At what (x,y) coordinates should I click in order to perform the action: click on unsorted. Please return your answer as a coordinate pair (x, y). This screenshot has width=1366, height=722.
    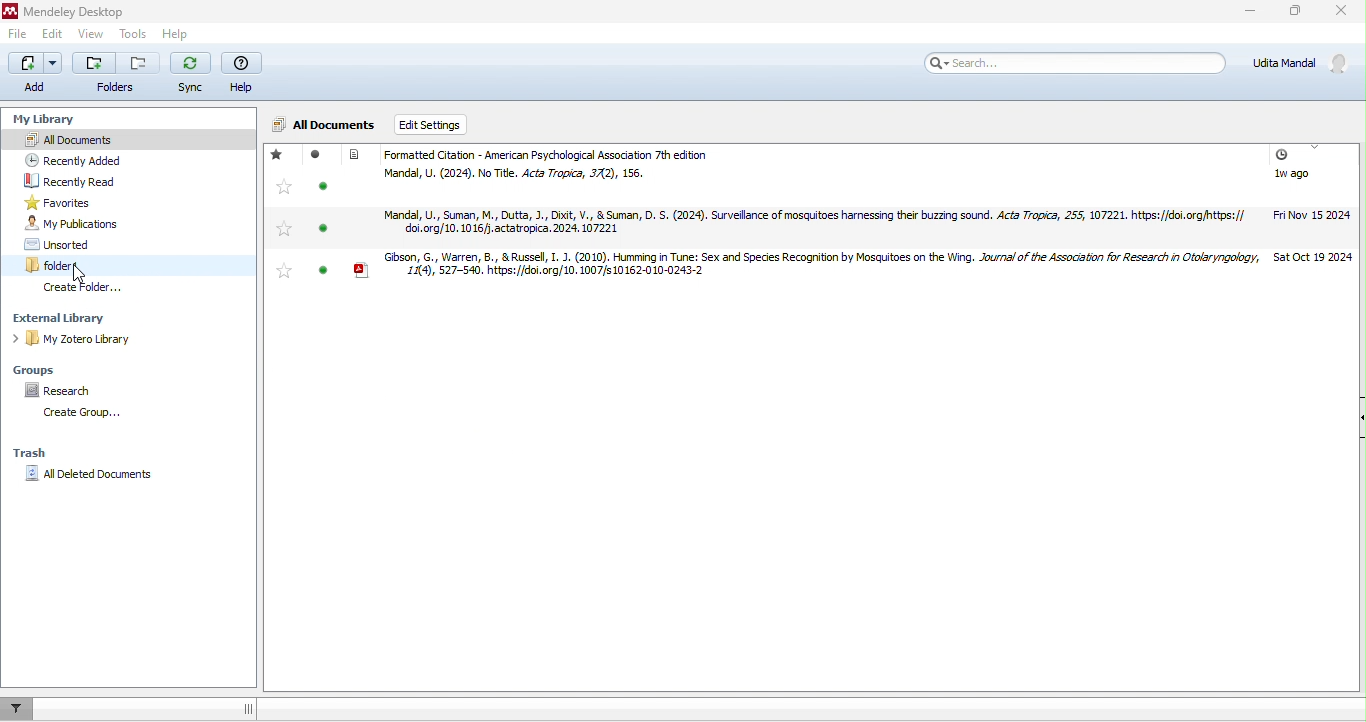
    Looking at the image, I should click on (69, 244).